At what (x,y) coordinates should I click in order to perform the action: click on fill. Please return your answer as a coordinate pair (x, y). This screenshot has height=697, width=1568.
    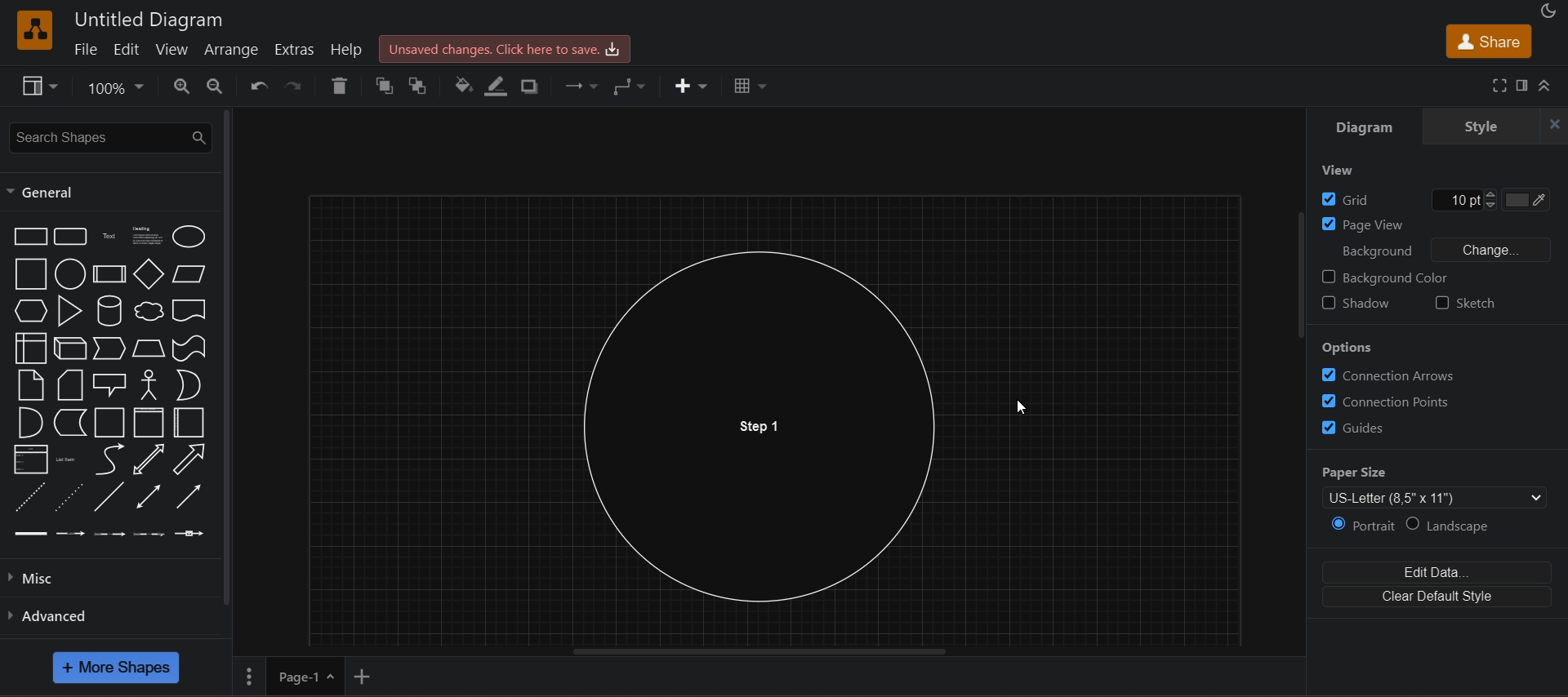
    Looking at the image, I should click on (452, 86).